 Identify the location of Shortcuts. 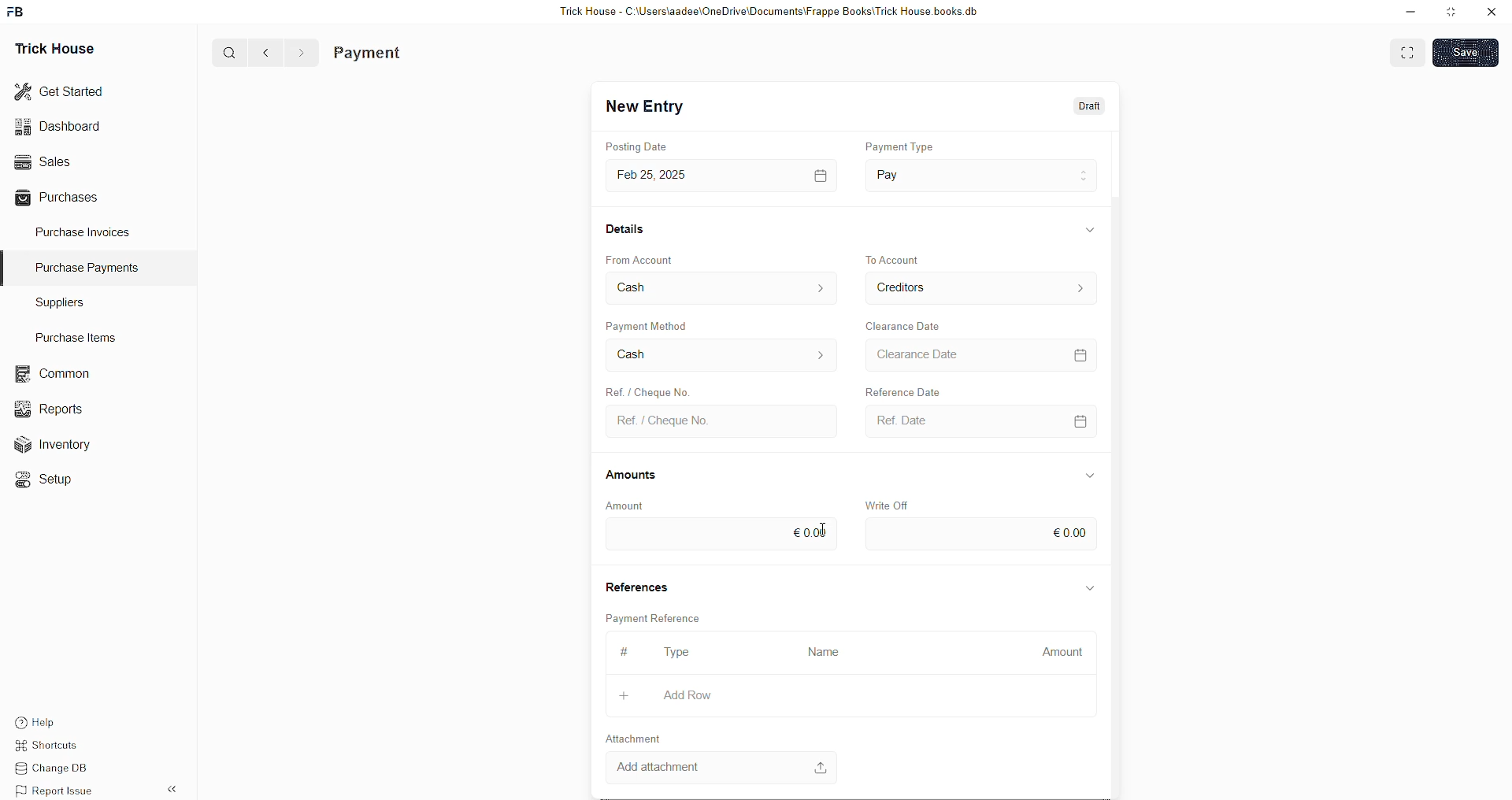
(56, 747).